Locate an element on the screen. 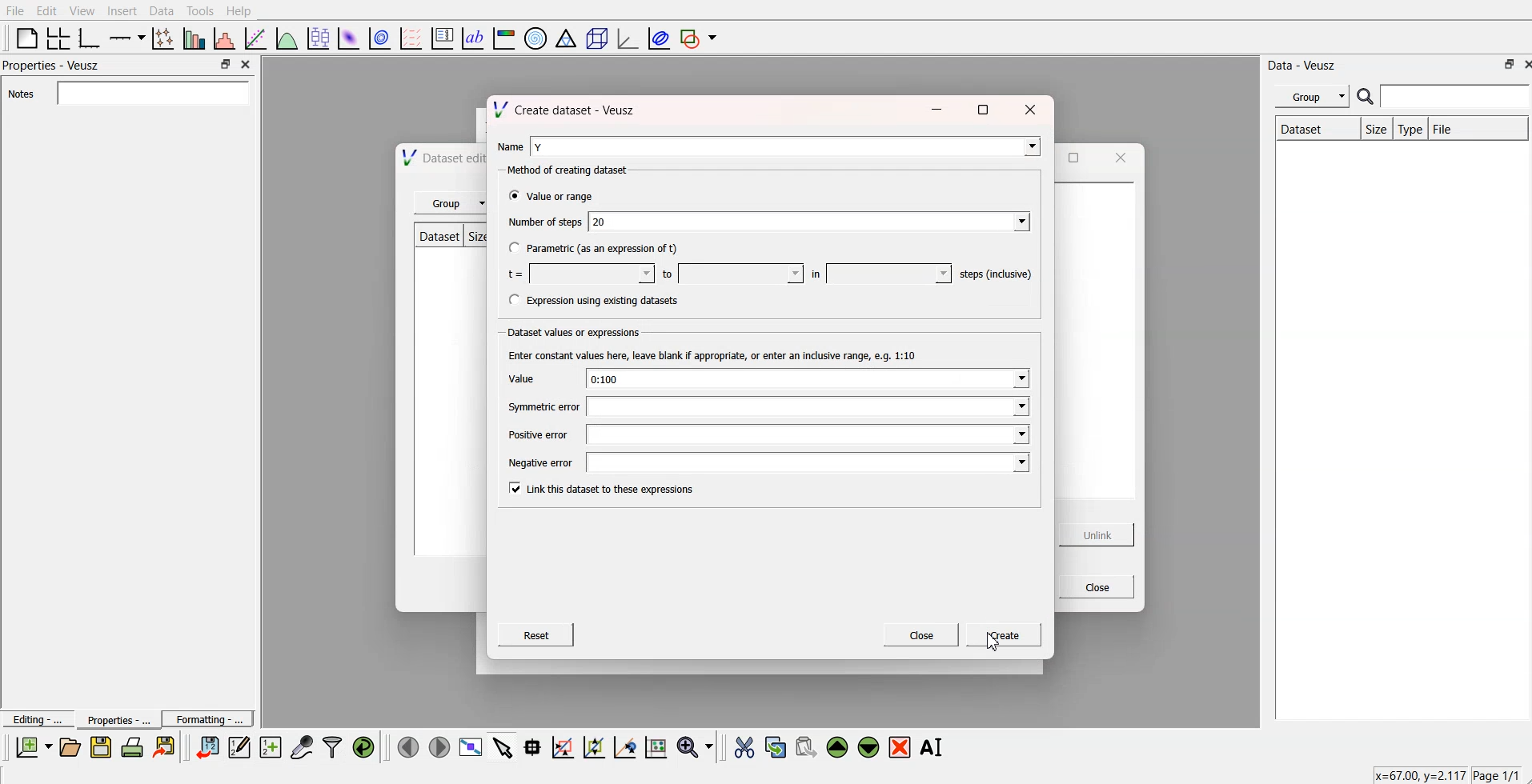 The height and width of the screenshot is (784, 1532). Close is located at coordinates (921, 636).